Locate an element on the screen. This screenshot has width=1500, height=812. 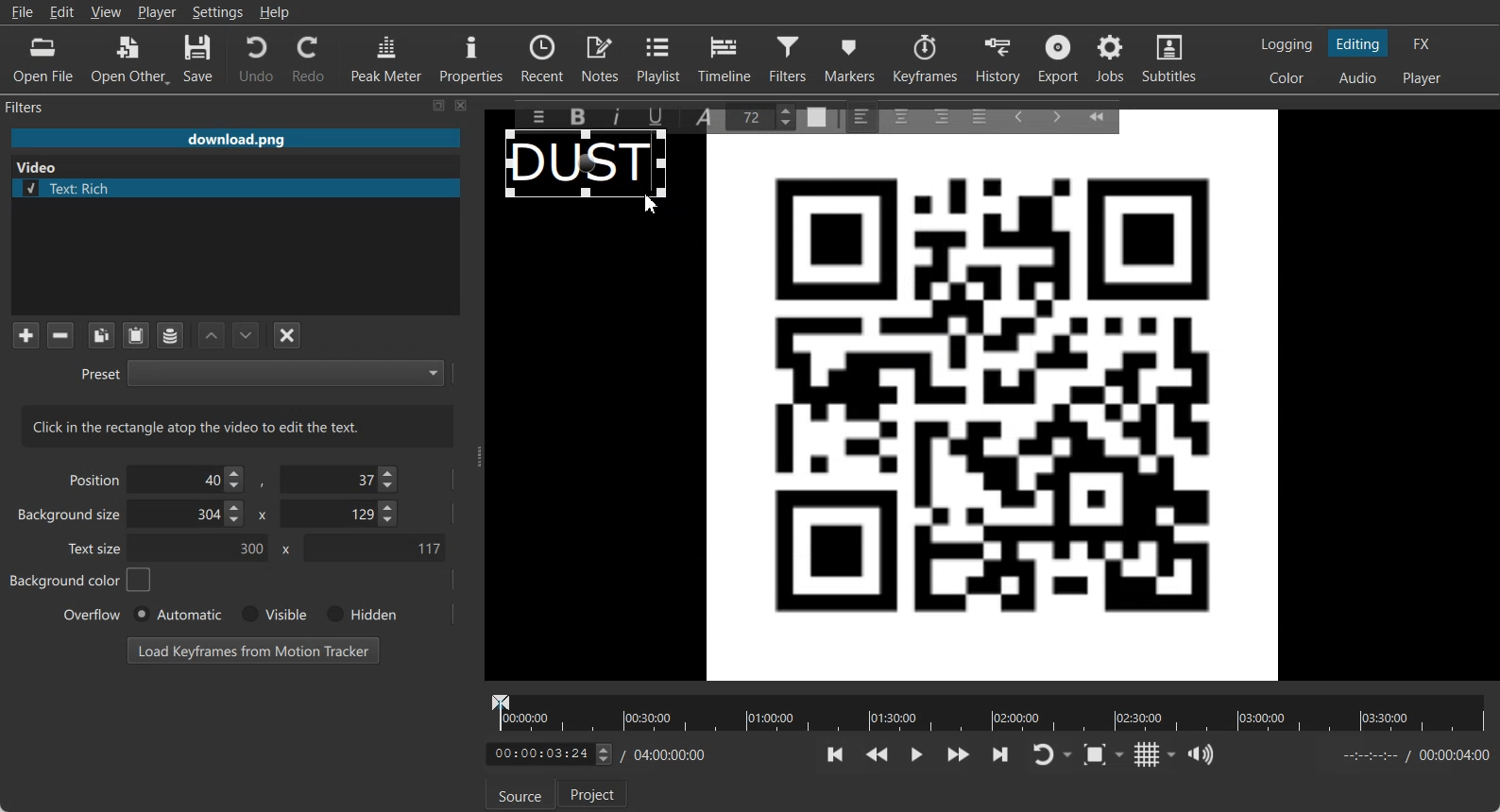
Playlist is located at coordinates (661, 58).